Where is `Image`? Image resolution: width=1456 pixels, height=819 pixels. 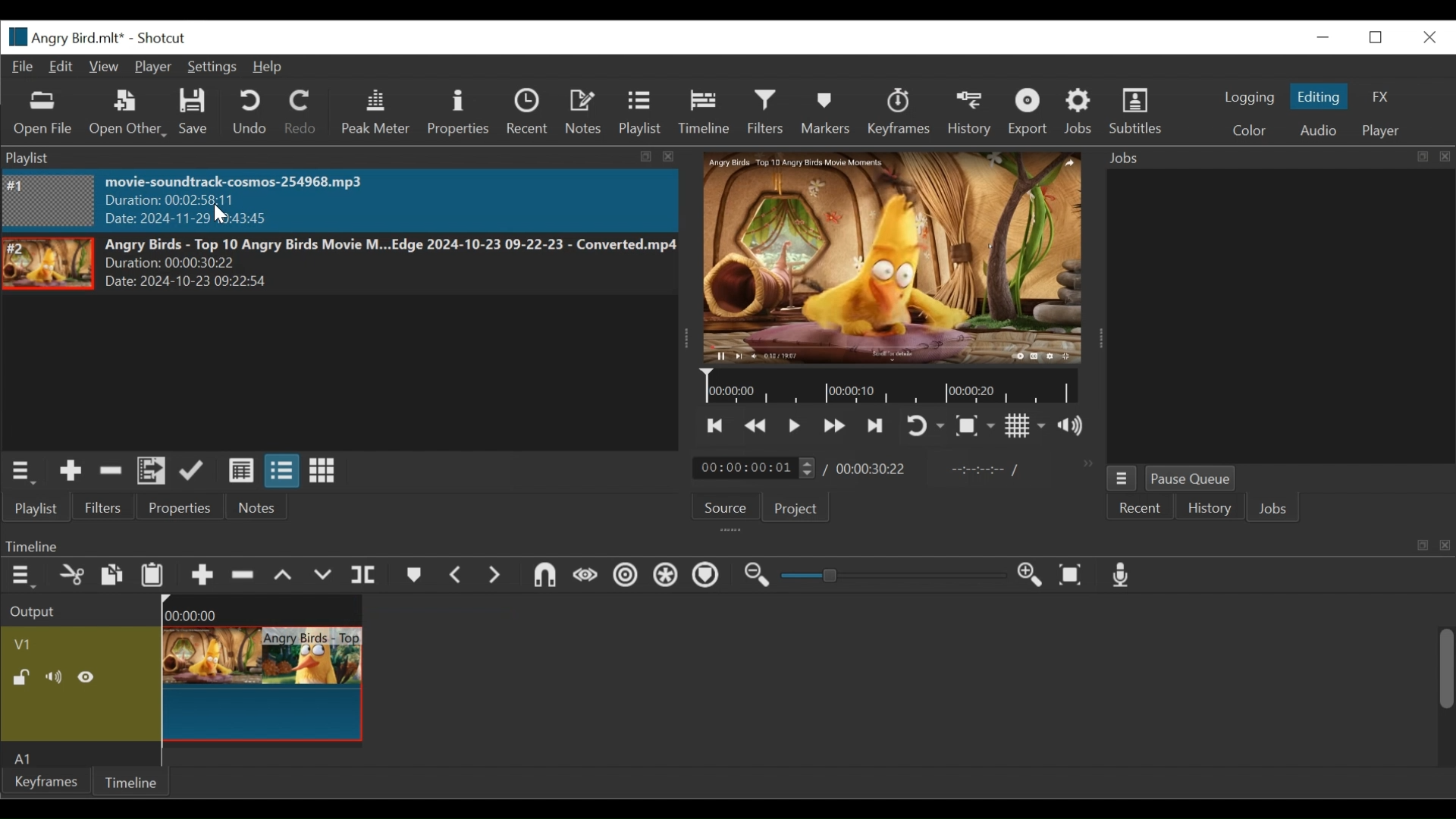 Image is located at coordinates (49, 264).